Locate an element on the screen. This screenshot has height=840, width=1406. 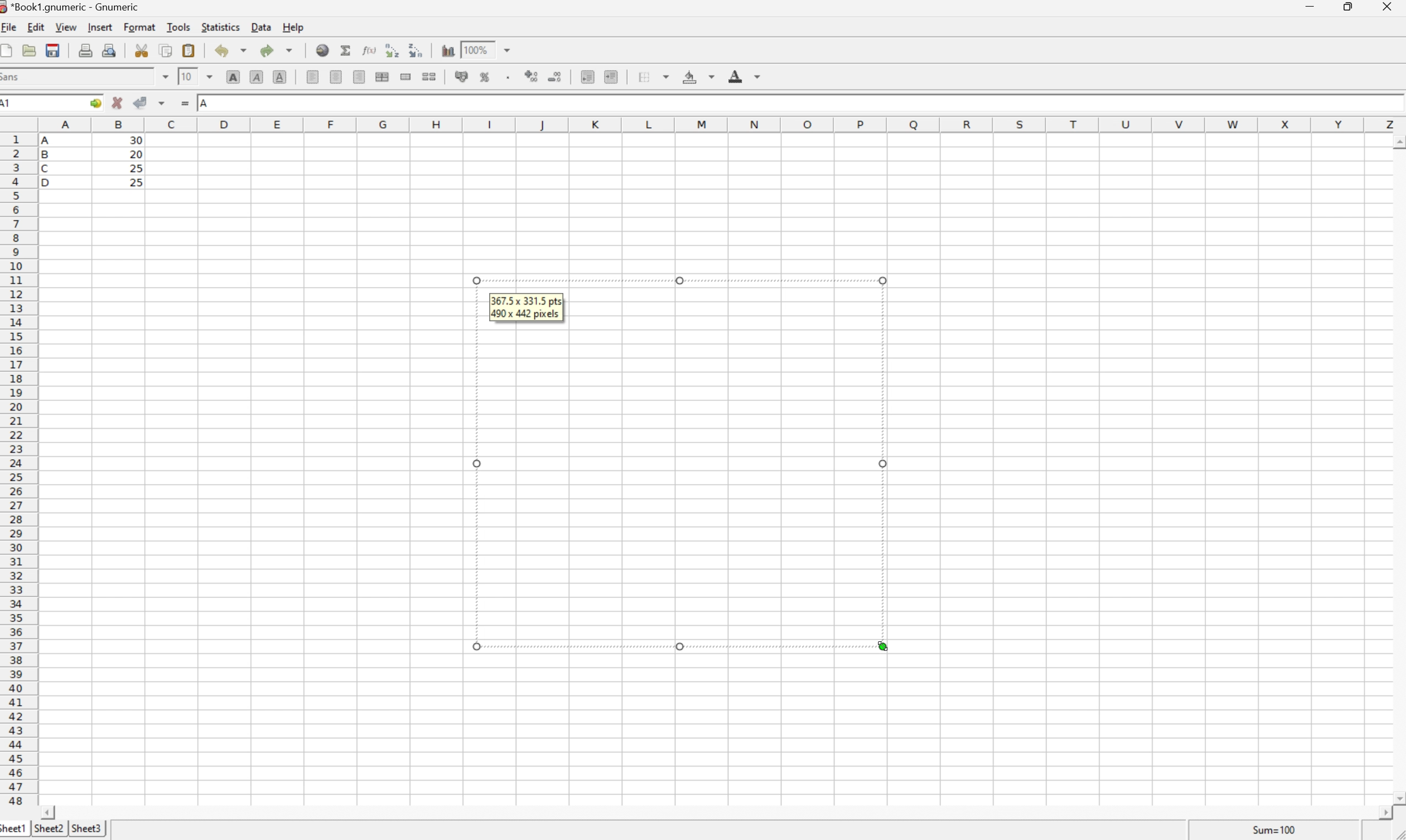
Bold is located at coordinates (233, 77).